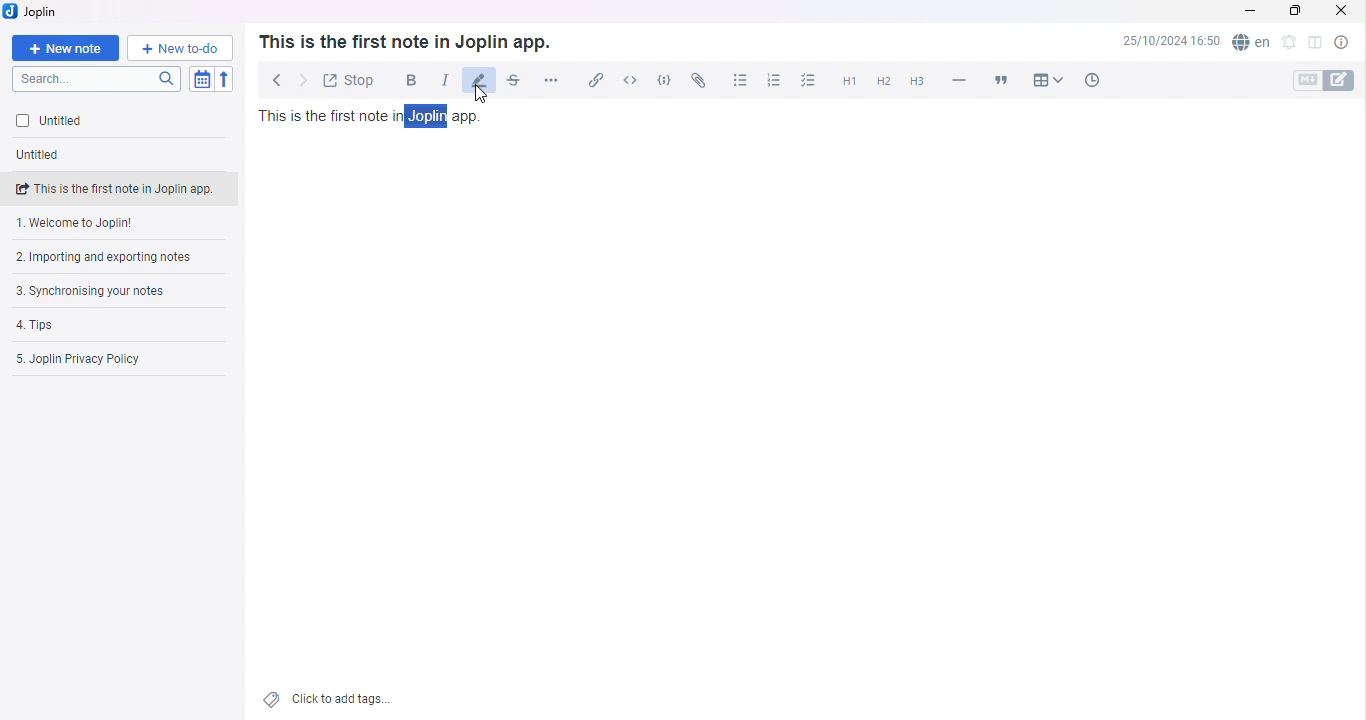 The image size is (1366, 720). I want to click on Date and Time, so click(1170, 44).